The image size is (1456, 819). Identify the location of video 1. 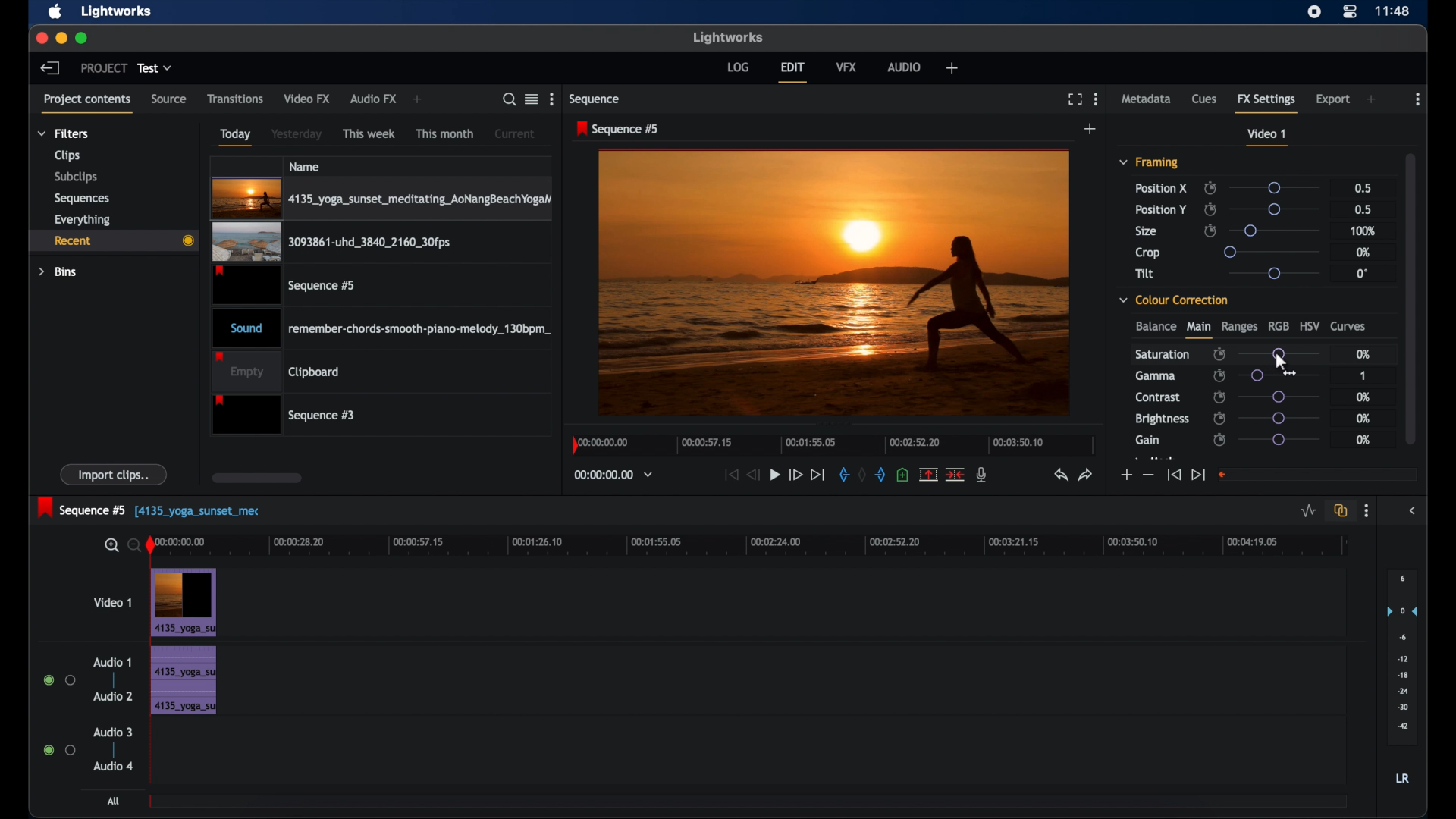
(112, 602).